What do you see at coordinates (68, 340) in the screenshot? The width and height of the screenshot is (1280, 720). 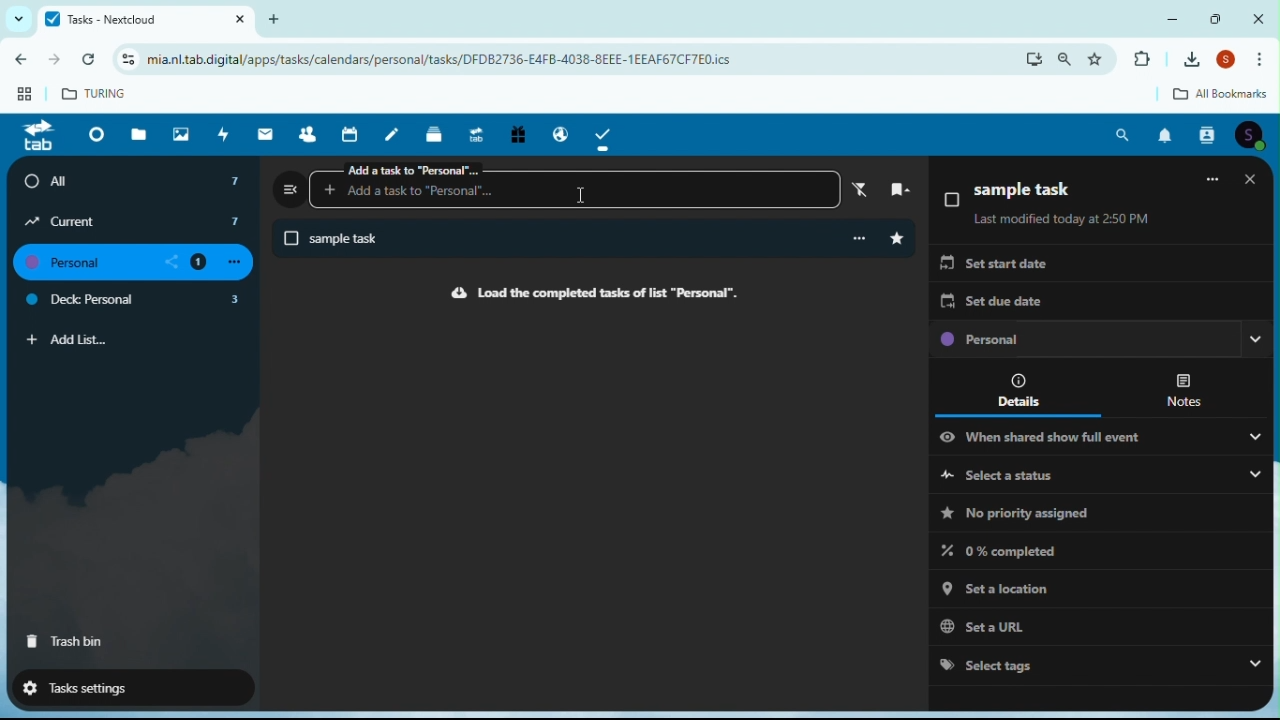 I see `Add list` at bounding box center [68, 340].